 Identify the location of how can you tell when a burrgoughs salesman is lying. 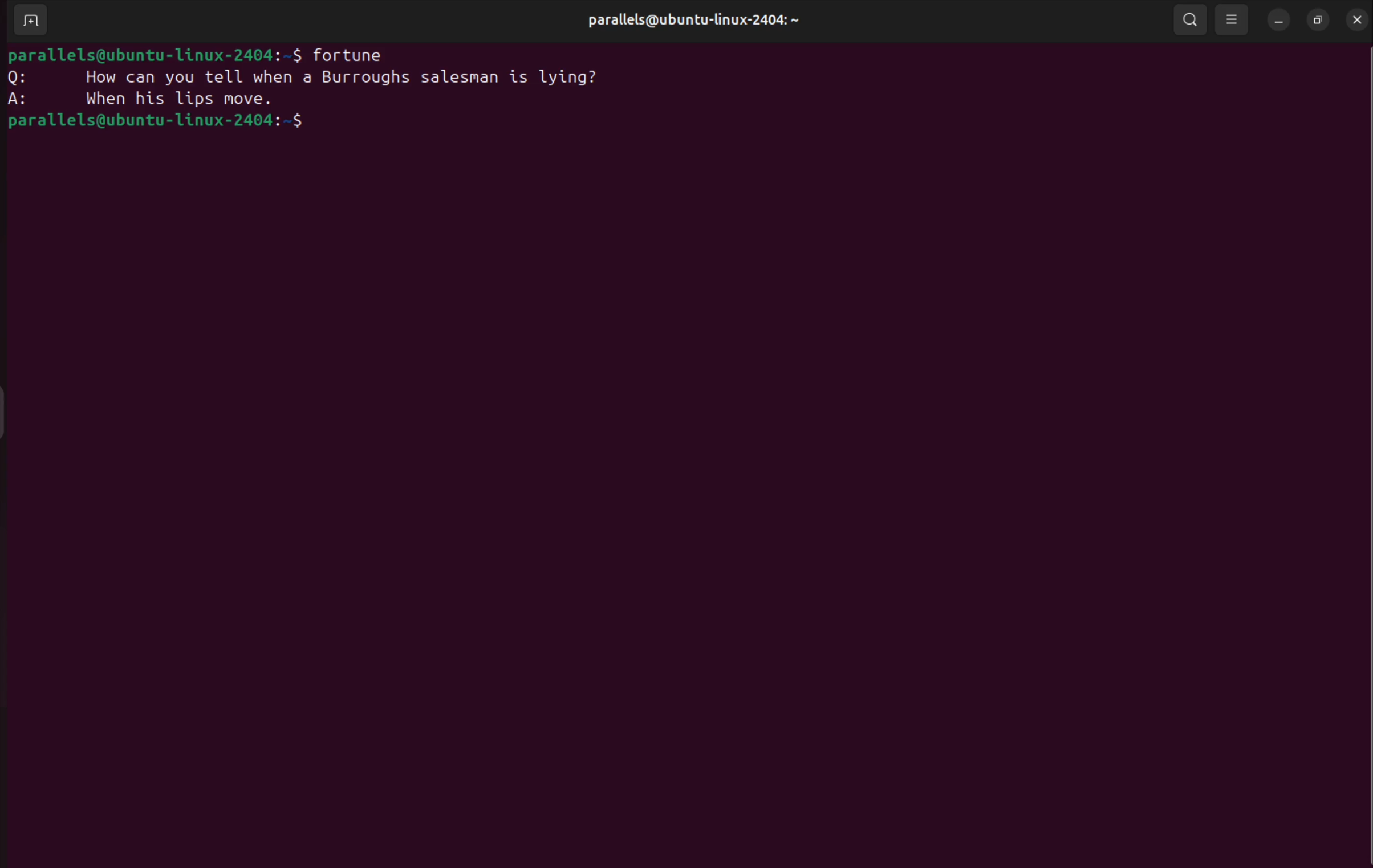
(363, 78).